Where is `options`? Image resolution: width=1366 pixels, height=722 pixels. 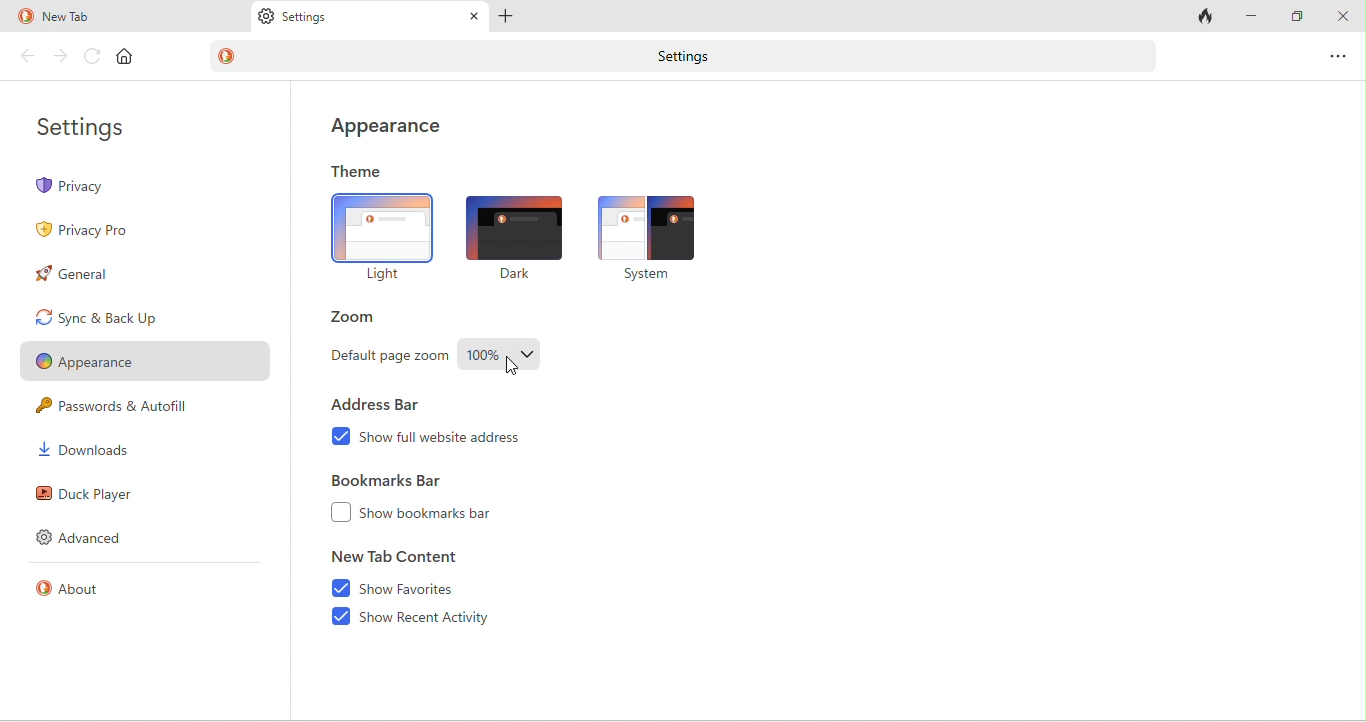
options is located at coordinates (1339, 55).